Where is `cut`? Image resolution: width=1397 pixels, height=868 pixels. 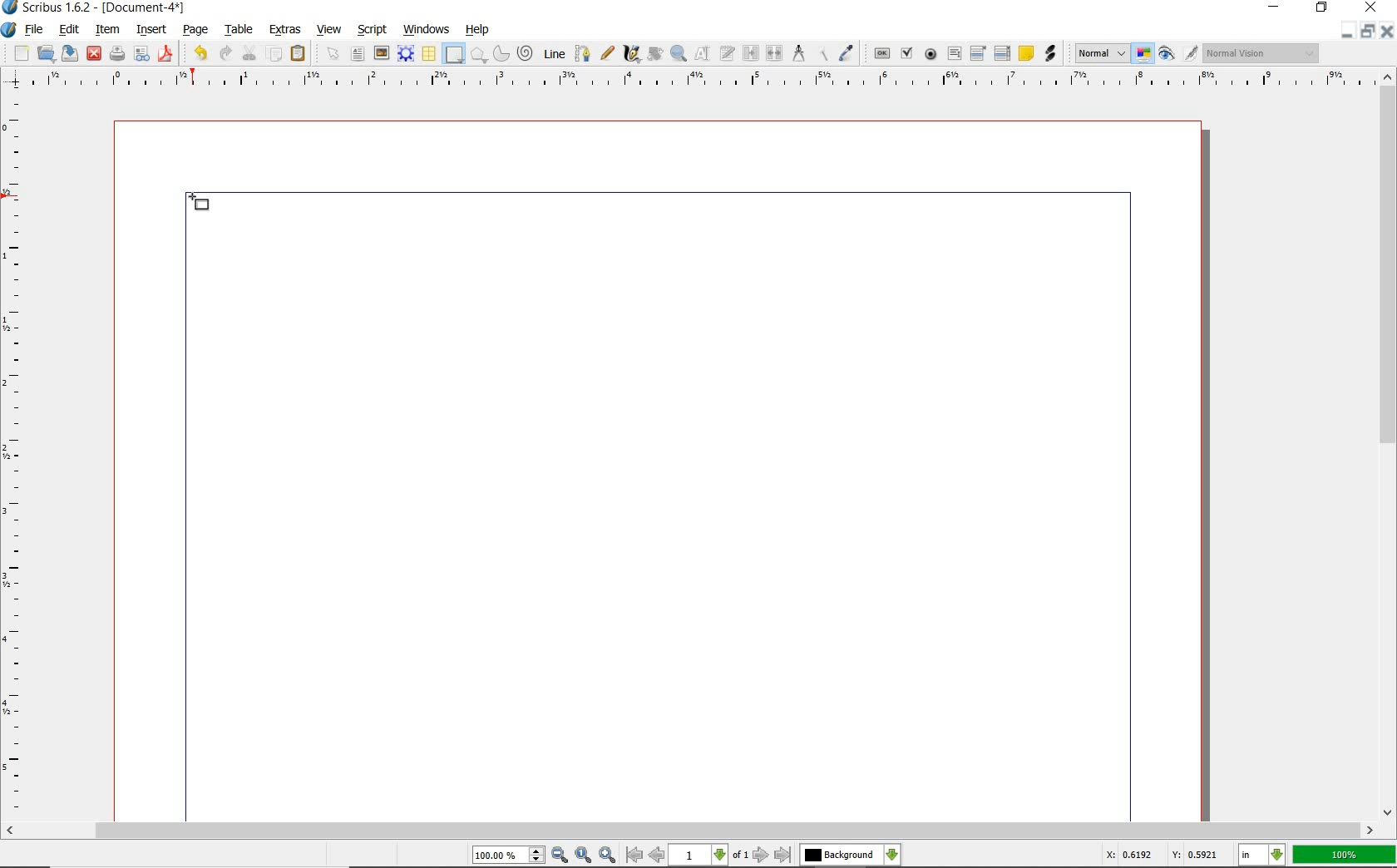 cut is located at coordinates (250, 52).